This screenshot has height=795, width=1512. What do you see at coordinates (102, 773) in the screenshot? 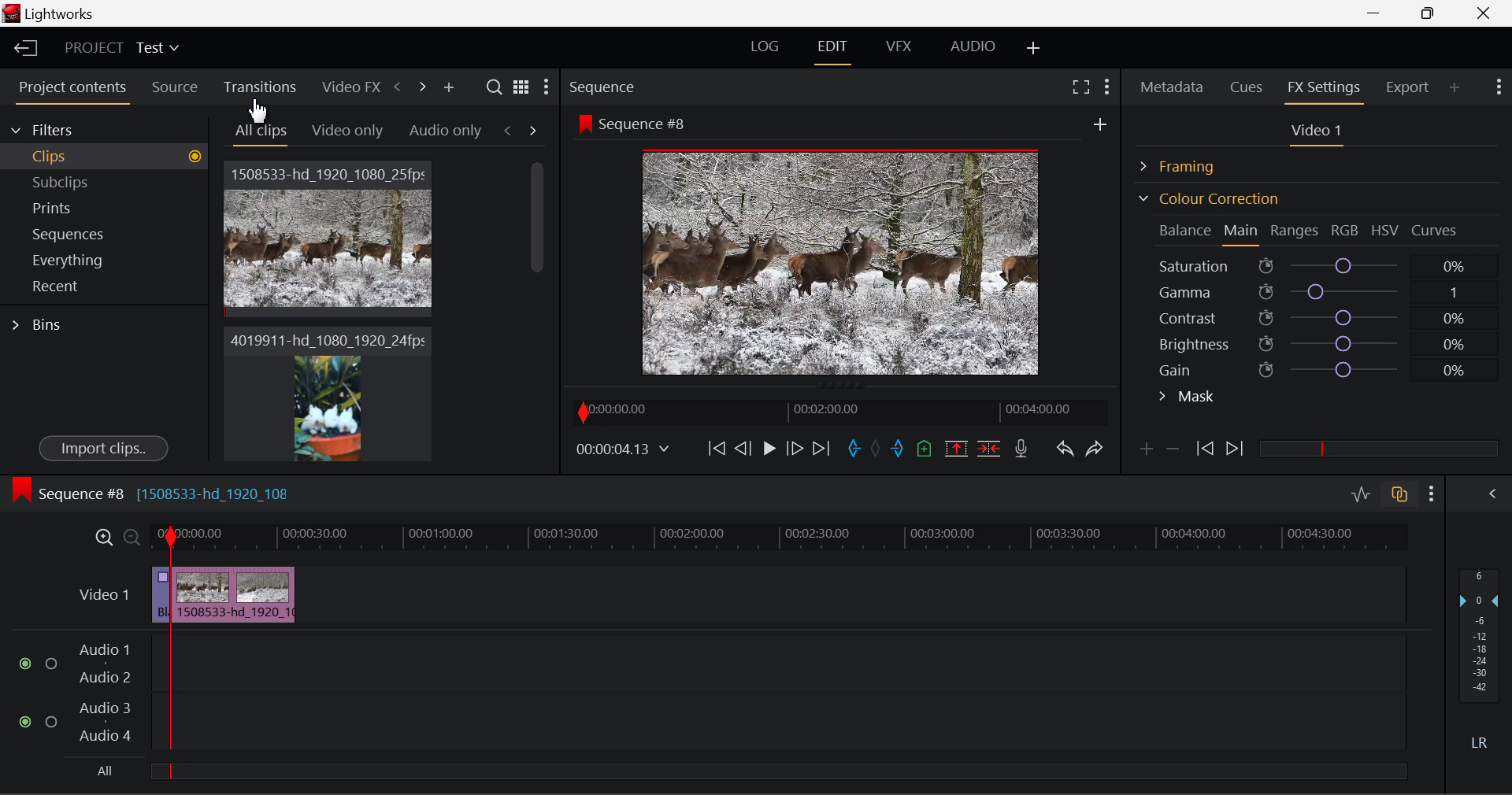
I see `All` at bounding box center [102, 773].